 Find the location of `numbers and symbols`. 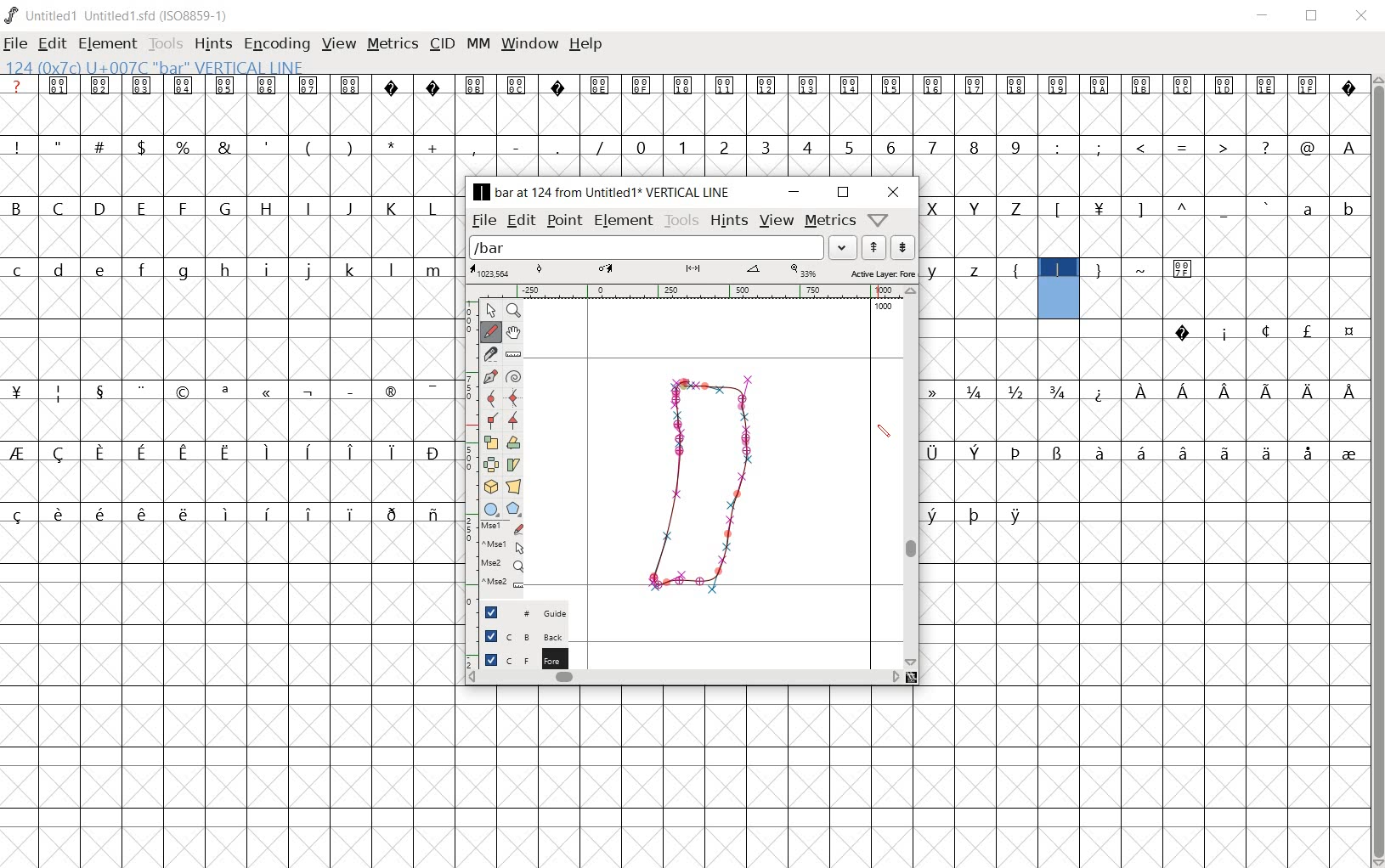

numbers and symbols is located at coordinates (685, 146).